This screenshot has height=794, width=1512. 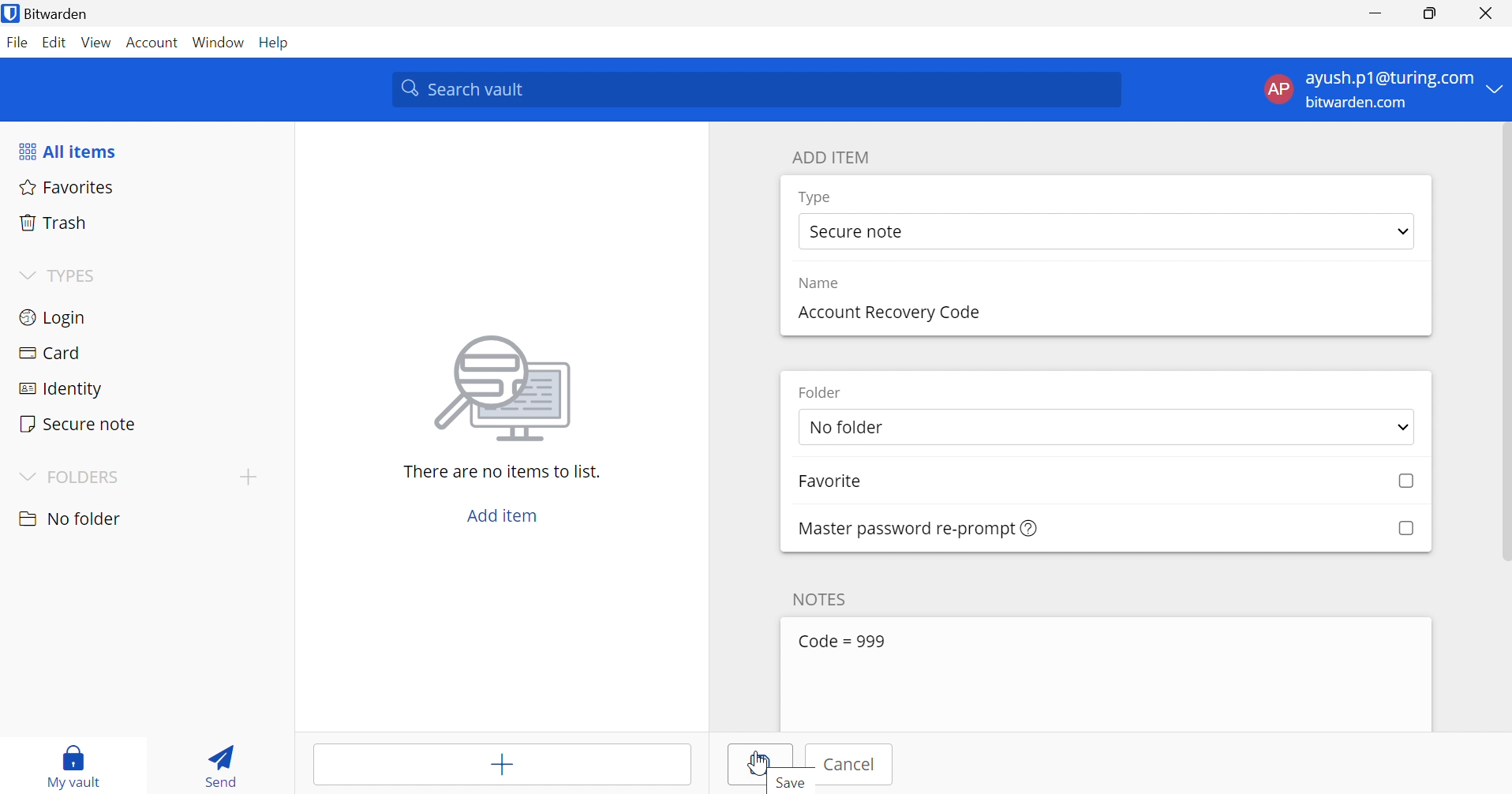 What do you see at coordinates (816, 197) in the screenshot?
I see `Type` at bounding box center [816, 197].